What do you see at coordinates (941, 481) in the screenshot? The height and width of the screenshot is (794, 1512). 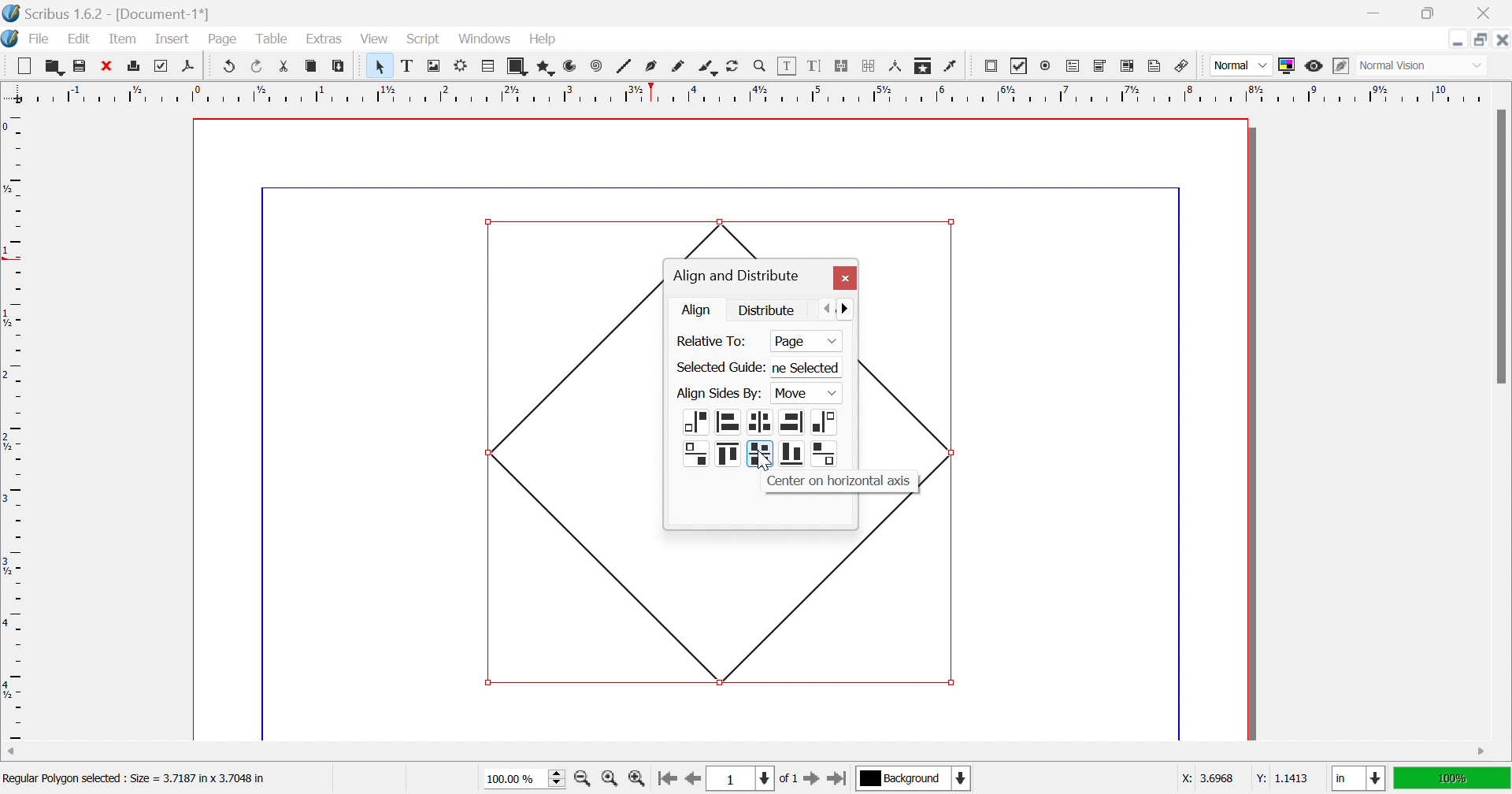 I see `shape` at bounding box center [941, 481].